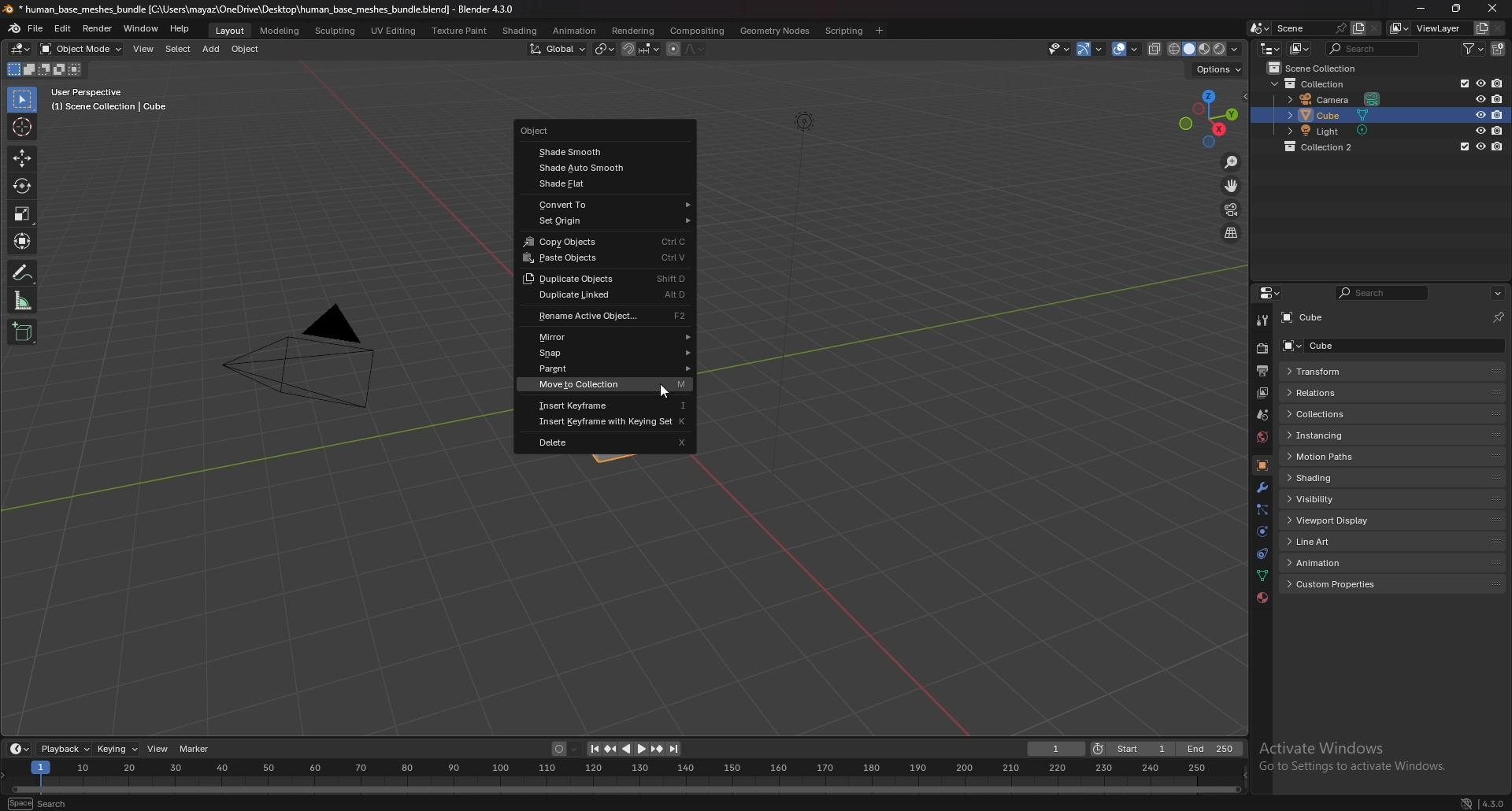 This screenshot has height=811, width=1512. Describe the element at coordinates (1480, 130) in the screenshot. I see `hide in viewport` at that location.